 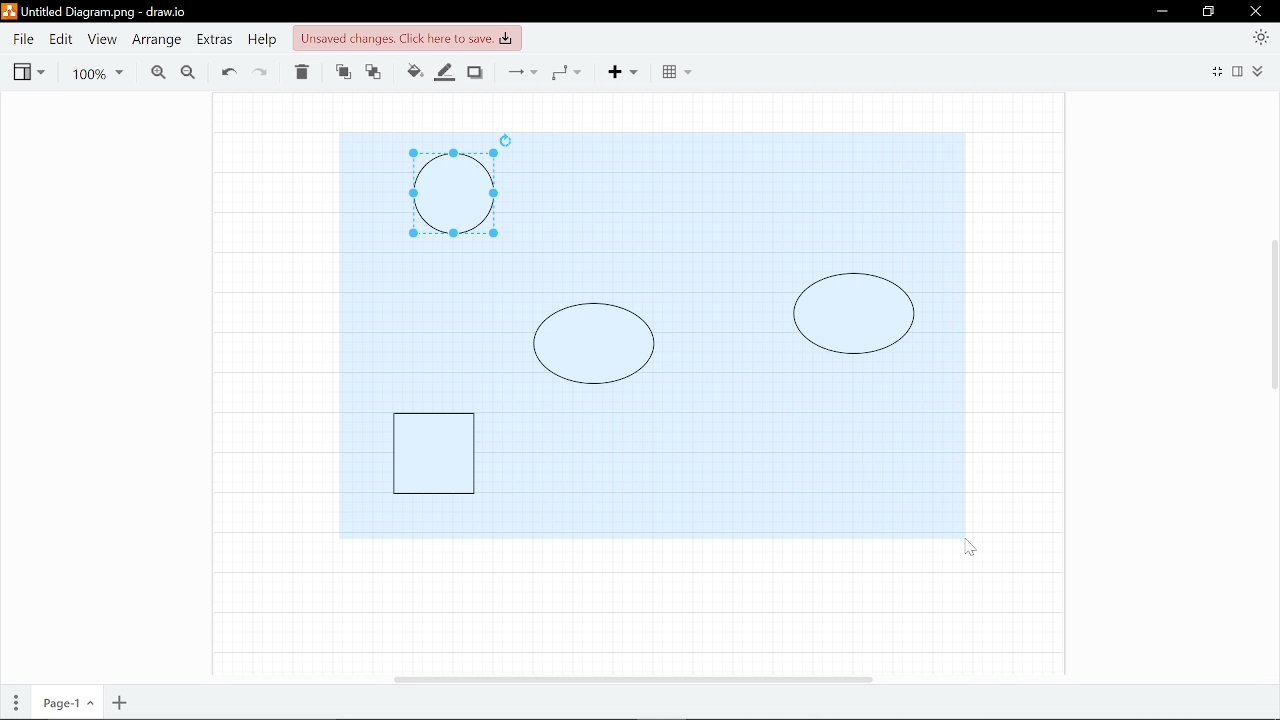 What do you see at coordinates (304, 73) in the screenshot?
I see `Delete` at bounding box center [304, 73].